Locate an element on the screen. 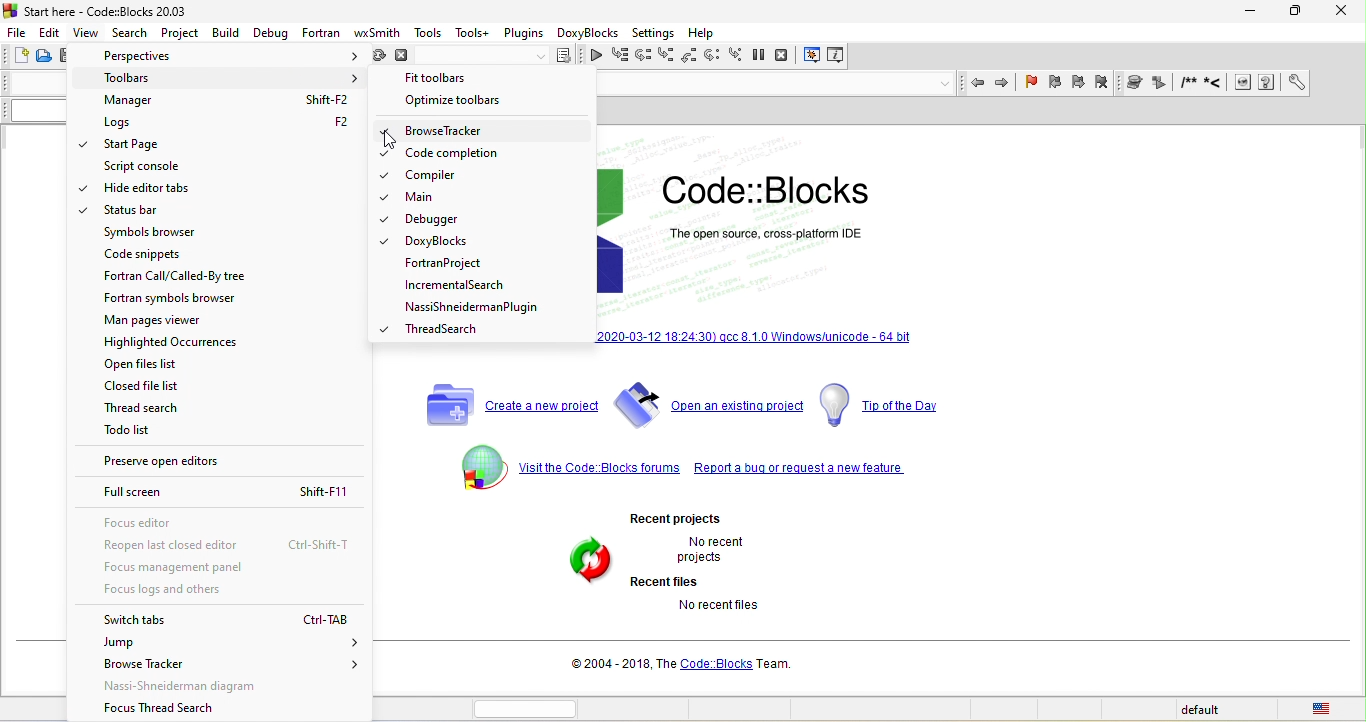 This screenshot has height=722, width=1366. code completion is located at coordinates (440, 155).